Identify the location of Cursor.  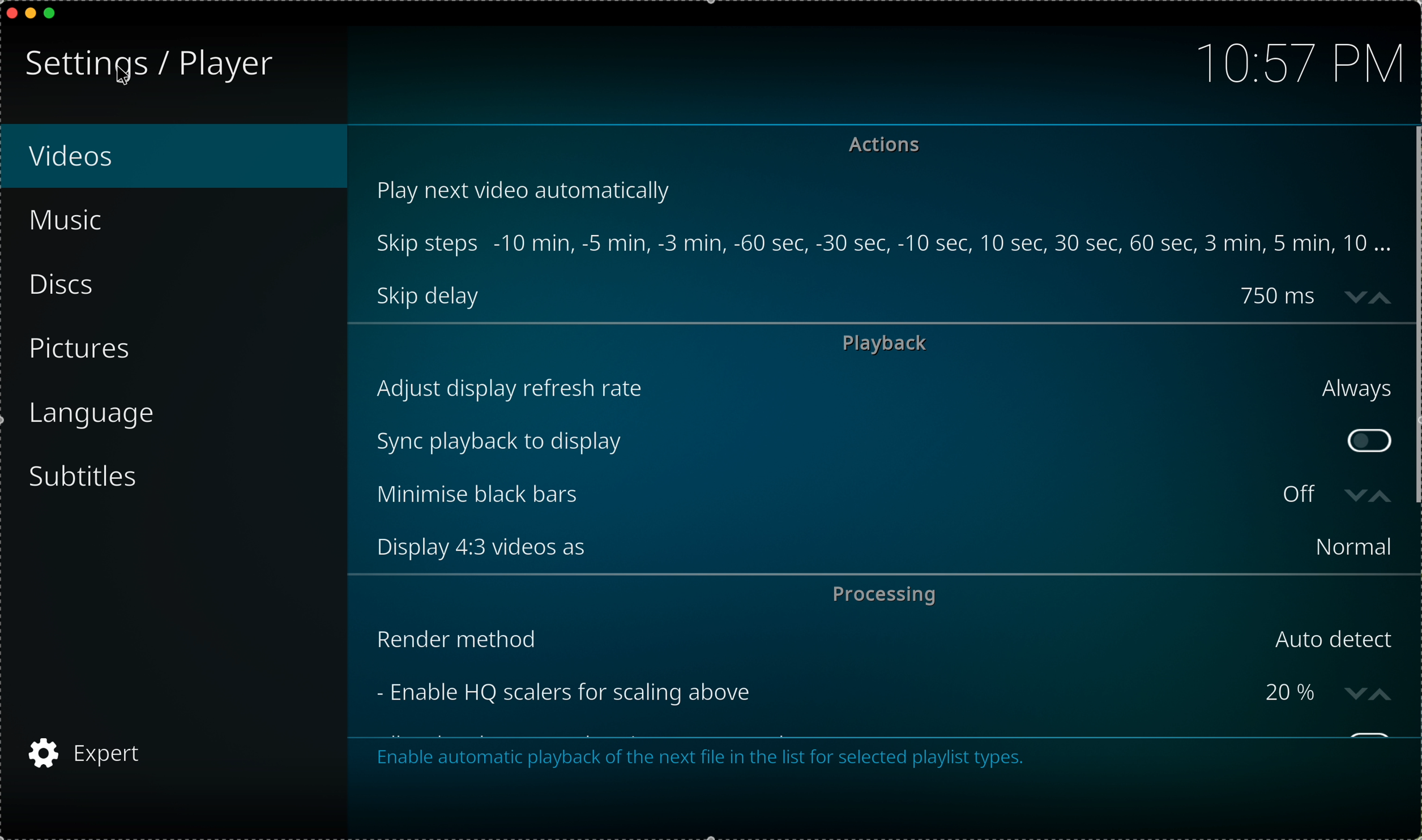
(129, 72).